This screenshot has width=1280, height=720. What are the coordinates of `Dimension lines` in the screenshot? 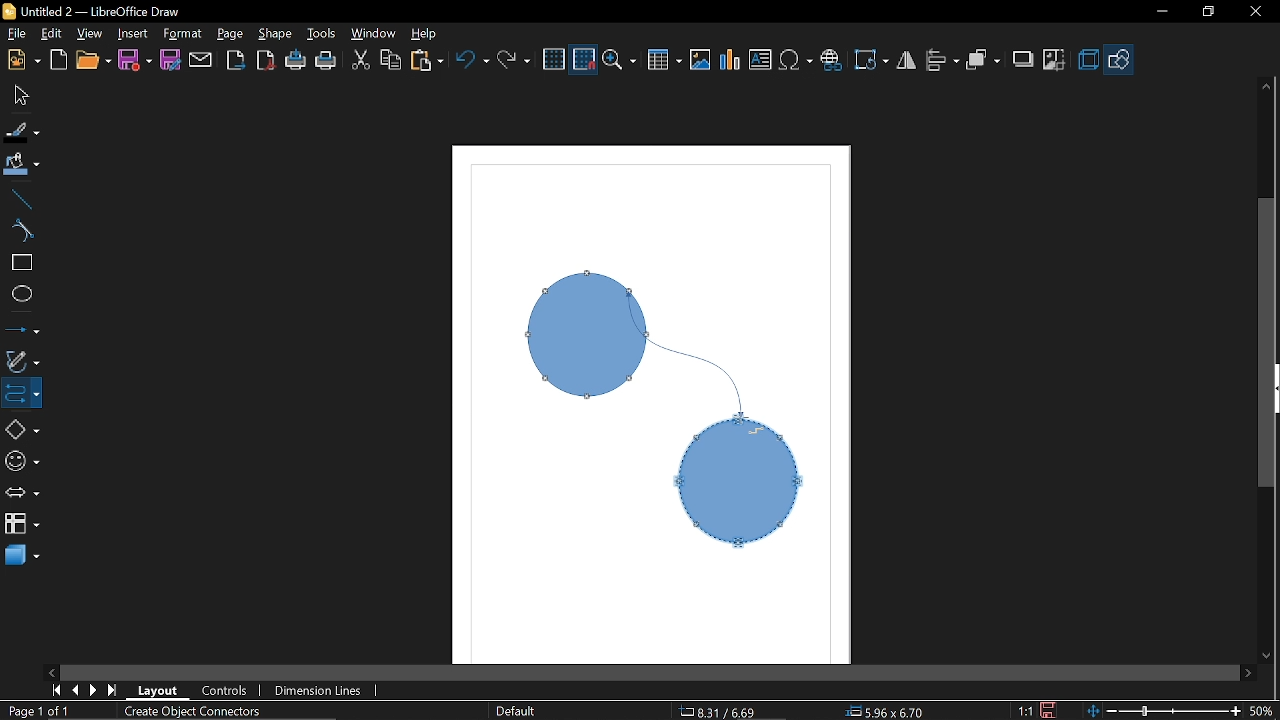 It's located at (324, 690).